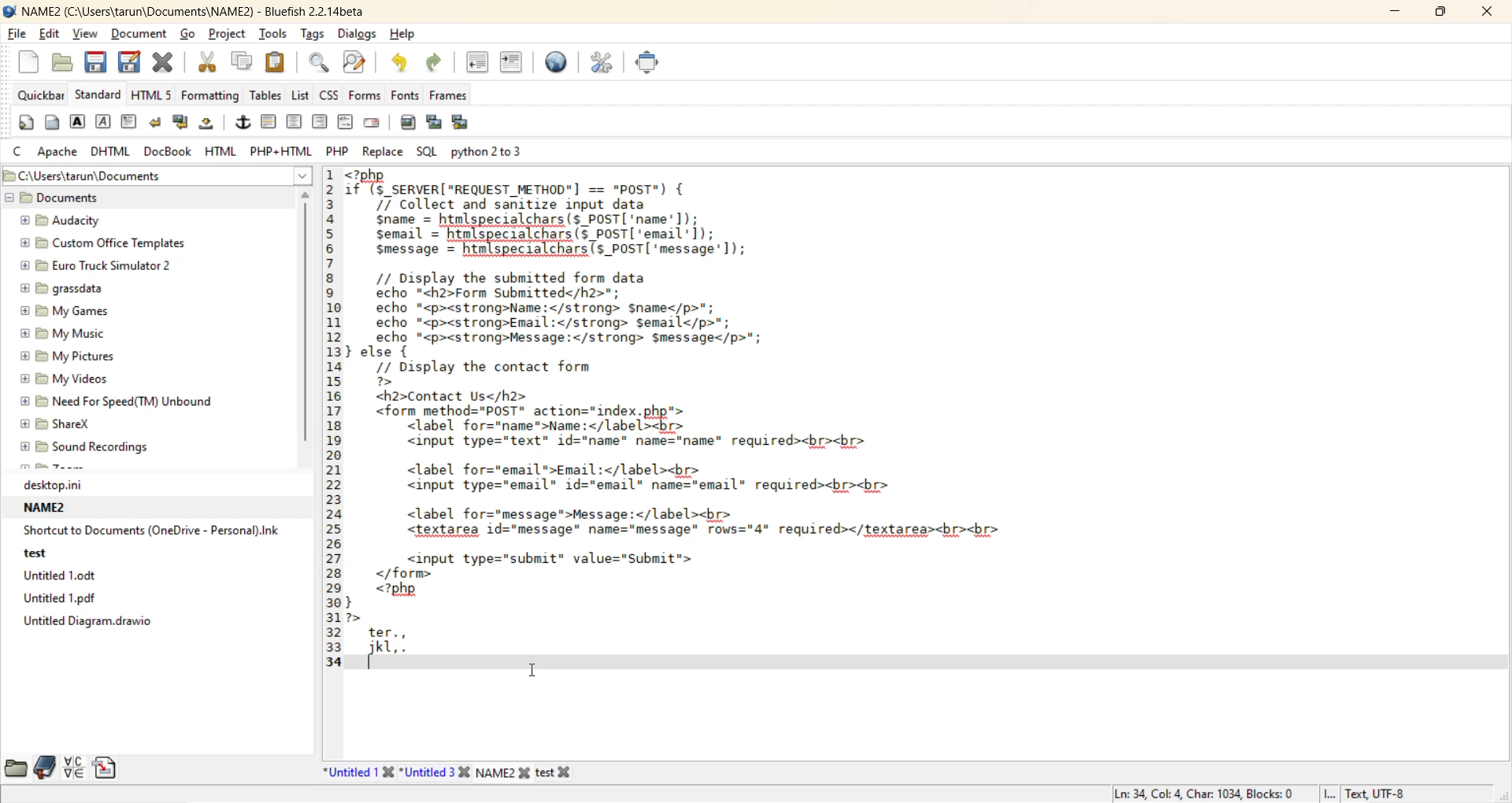 The width and height of the screenshot is (1512, 803). I want to click on Untitled Diagram.drawio, so click(98, 626).